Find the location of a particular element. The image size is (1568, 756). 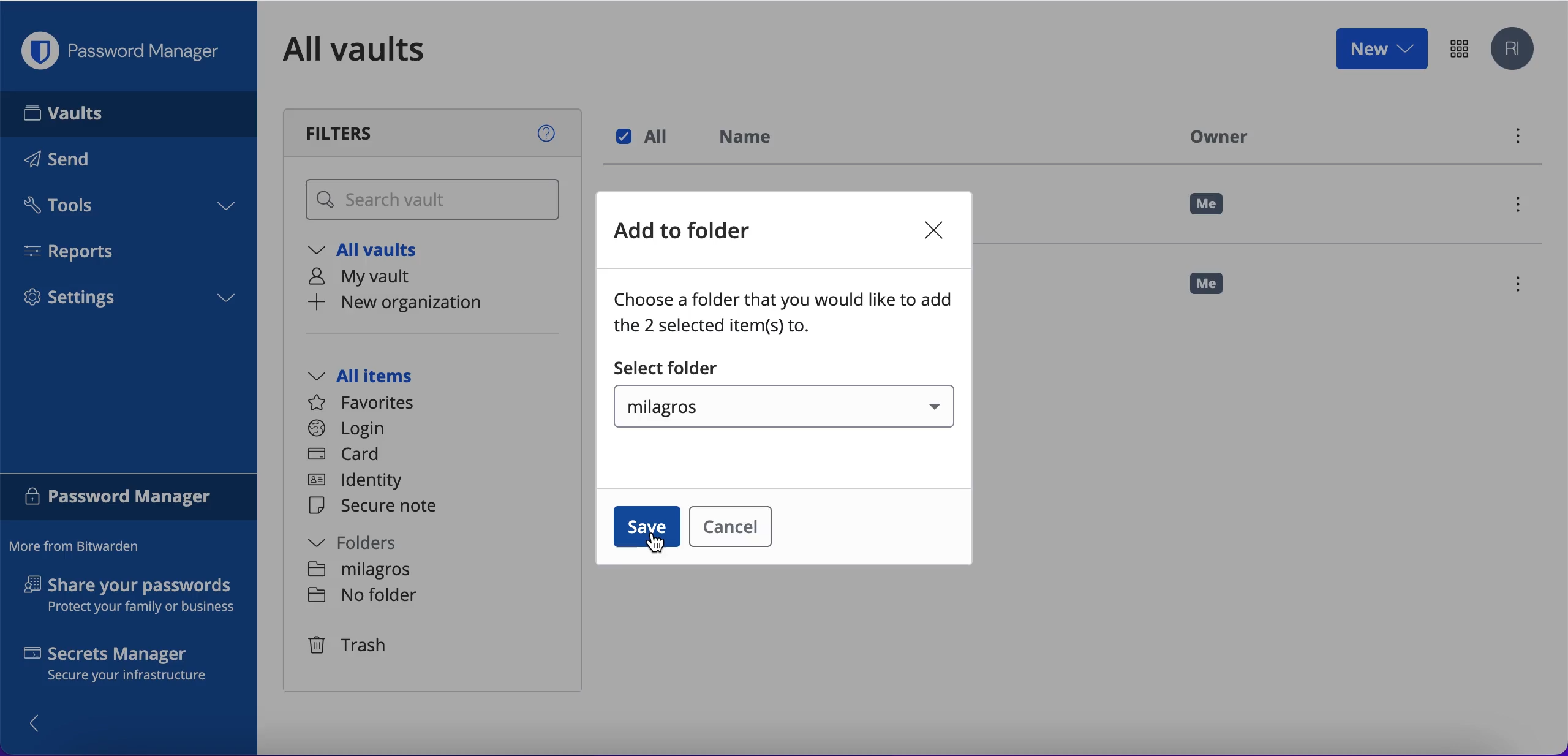

owner is located at coordinates (1215, 136).